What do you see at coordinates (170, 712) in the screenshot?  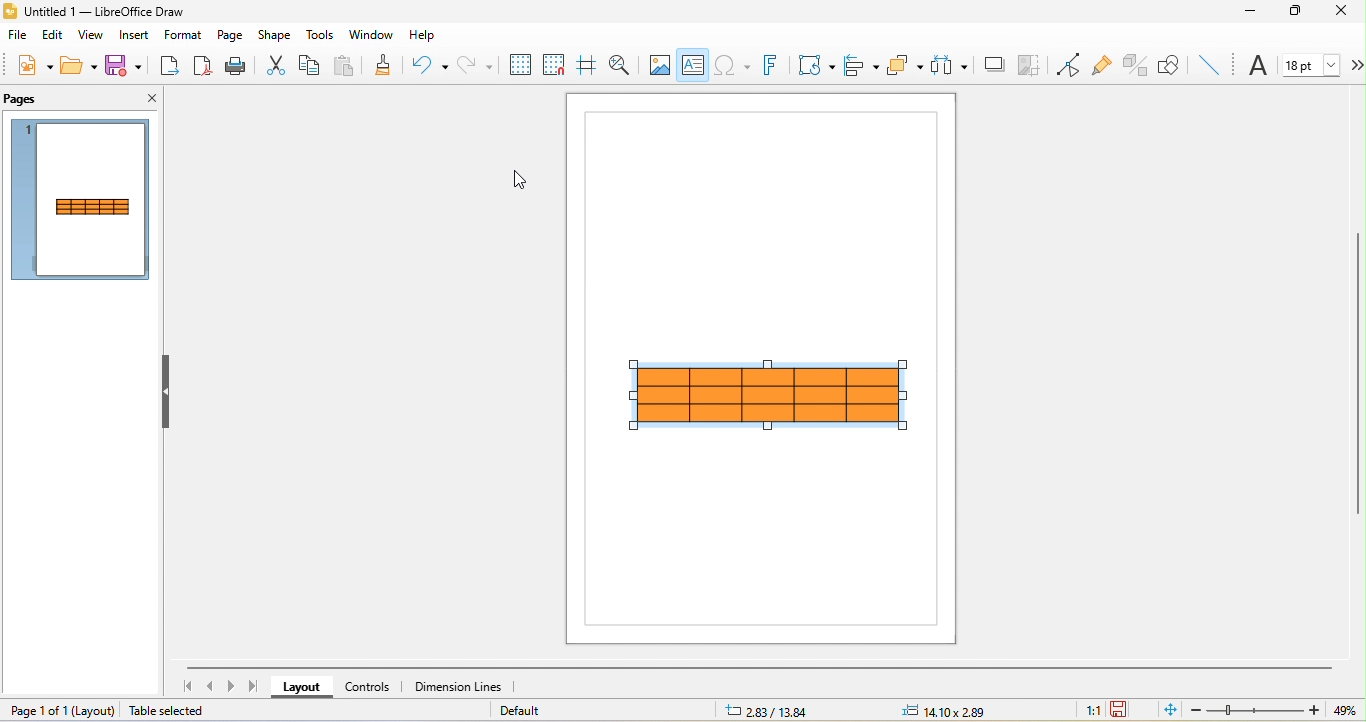 I see `table selected` at bounding box center [170, 712].